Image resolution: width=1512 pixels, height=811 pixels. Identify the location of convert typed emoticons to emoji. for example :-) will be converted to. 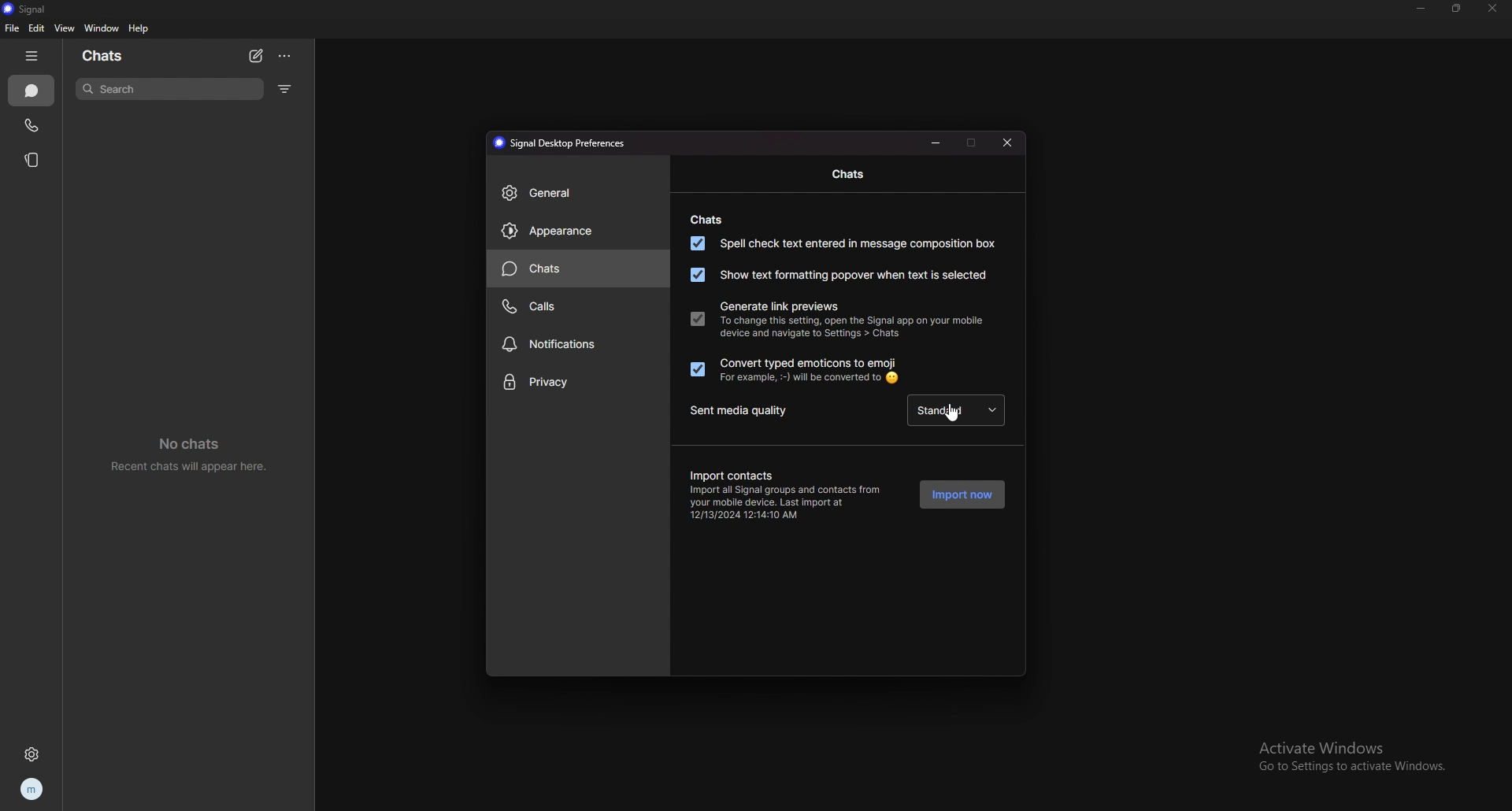
(794, 370).